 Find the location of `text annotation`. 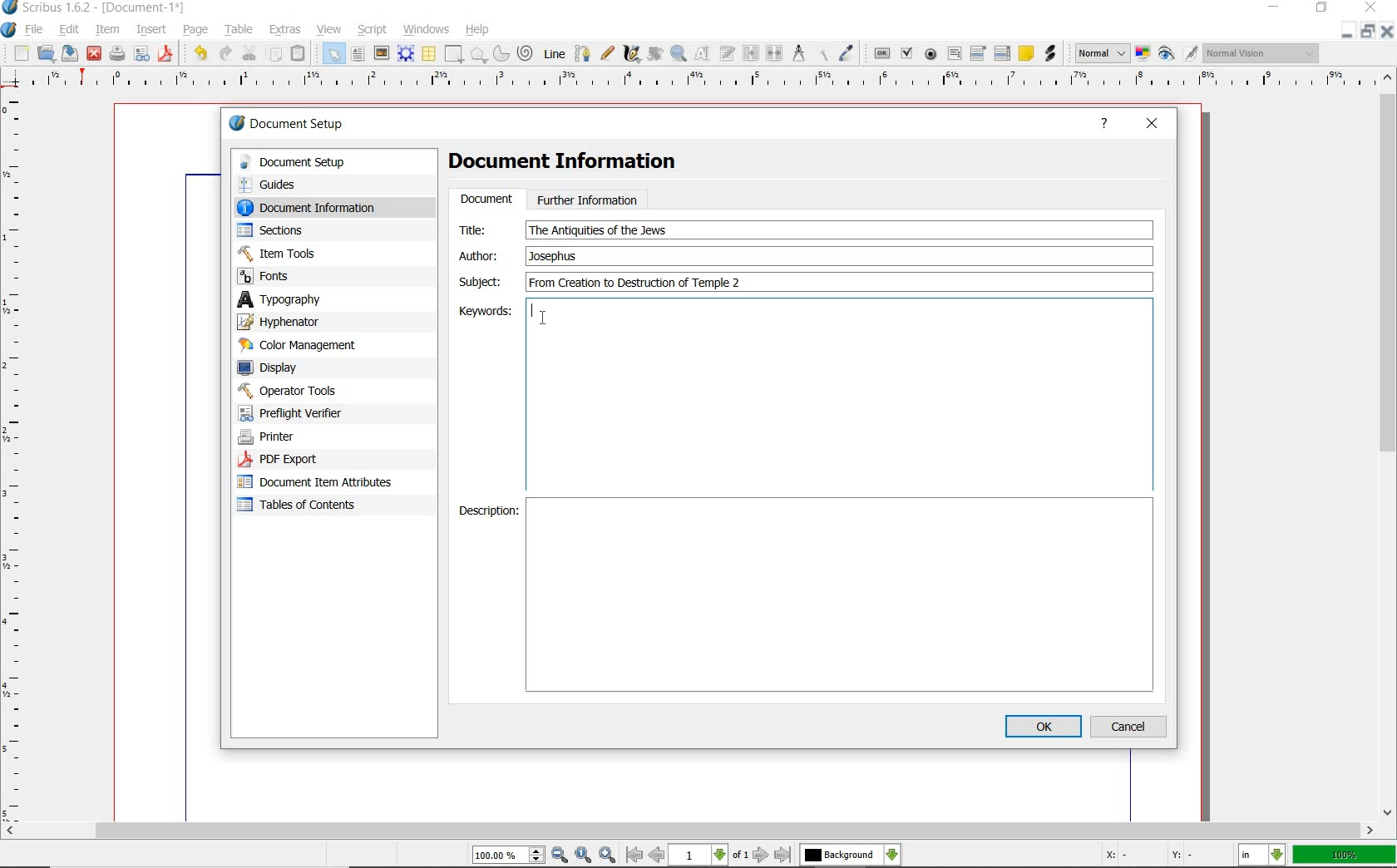

text annotation is located at coordinates (1025, 55).